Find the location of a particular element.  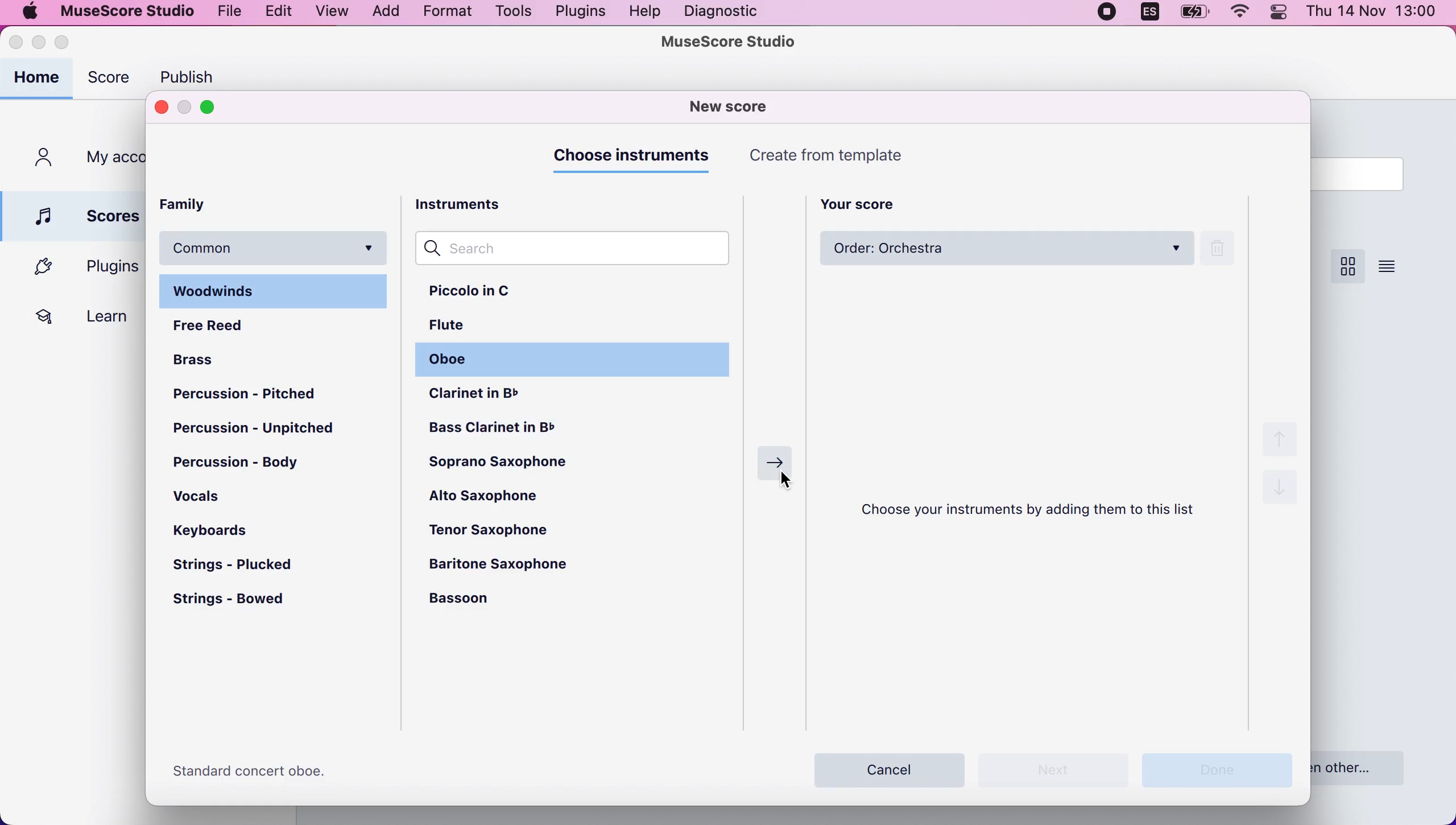

alto saxophone is located at coordinates (495, 498).